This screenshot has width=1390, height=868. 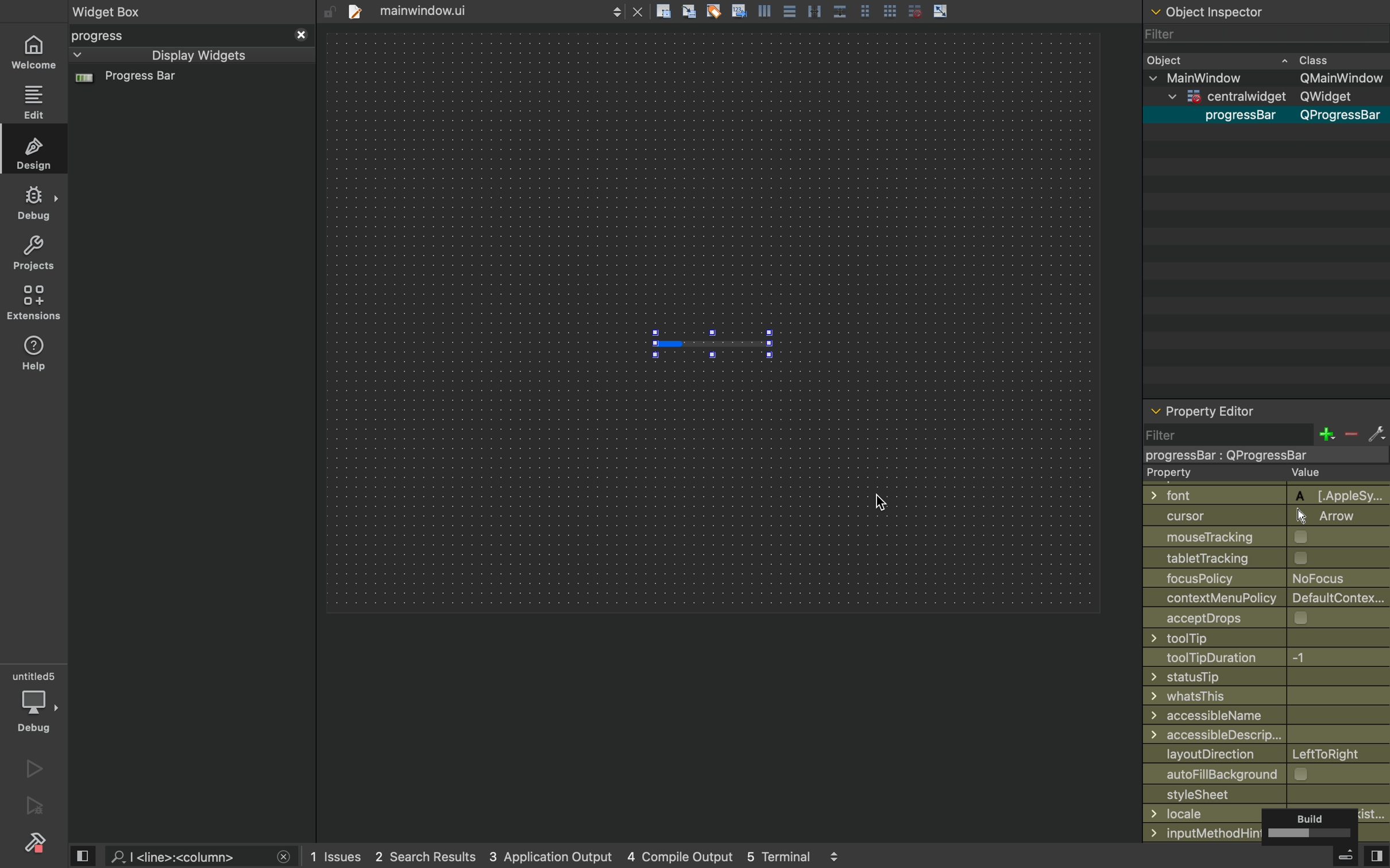 What do you see at coordinates (1257, 577) in the screenshot?
I see `focuspolicy` at bounding box center [1257, 577].